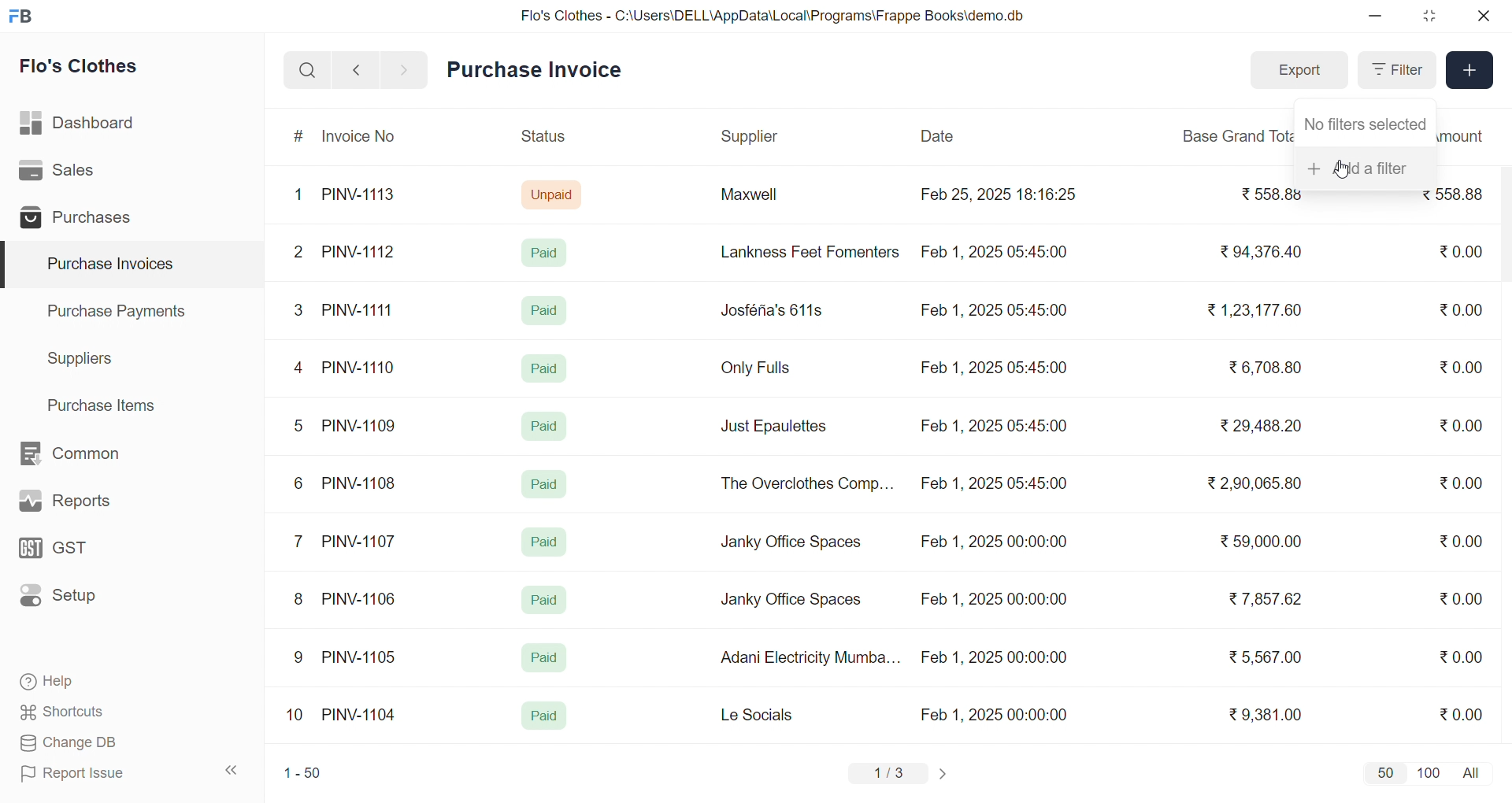  I want to click on Common, so click(87, 454).